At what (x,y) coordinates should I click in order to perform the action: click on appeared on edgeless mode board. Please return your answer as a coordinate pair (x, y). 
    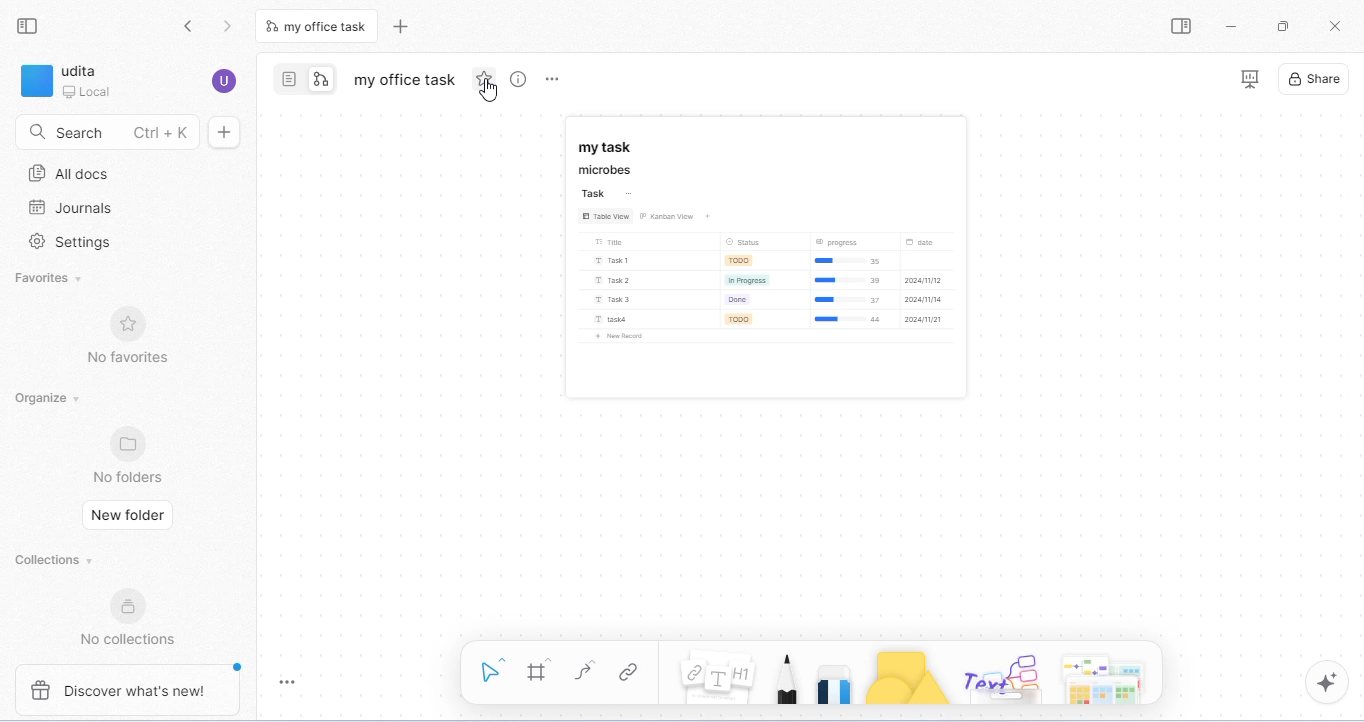
    Looking at the image, I should click on (766, 258).